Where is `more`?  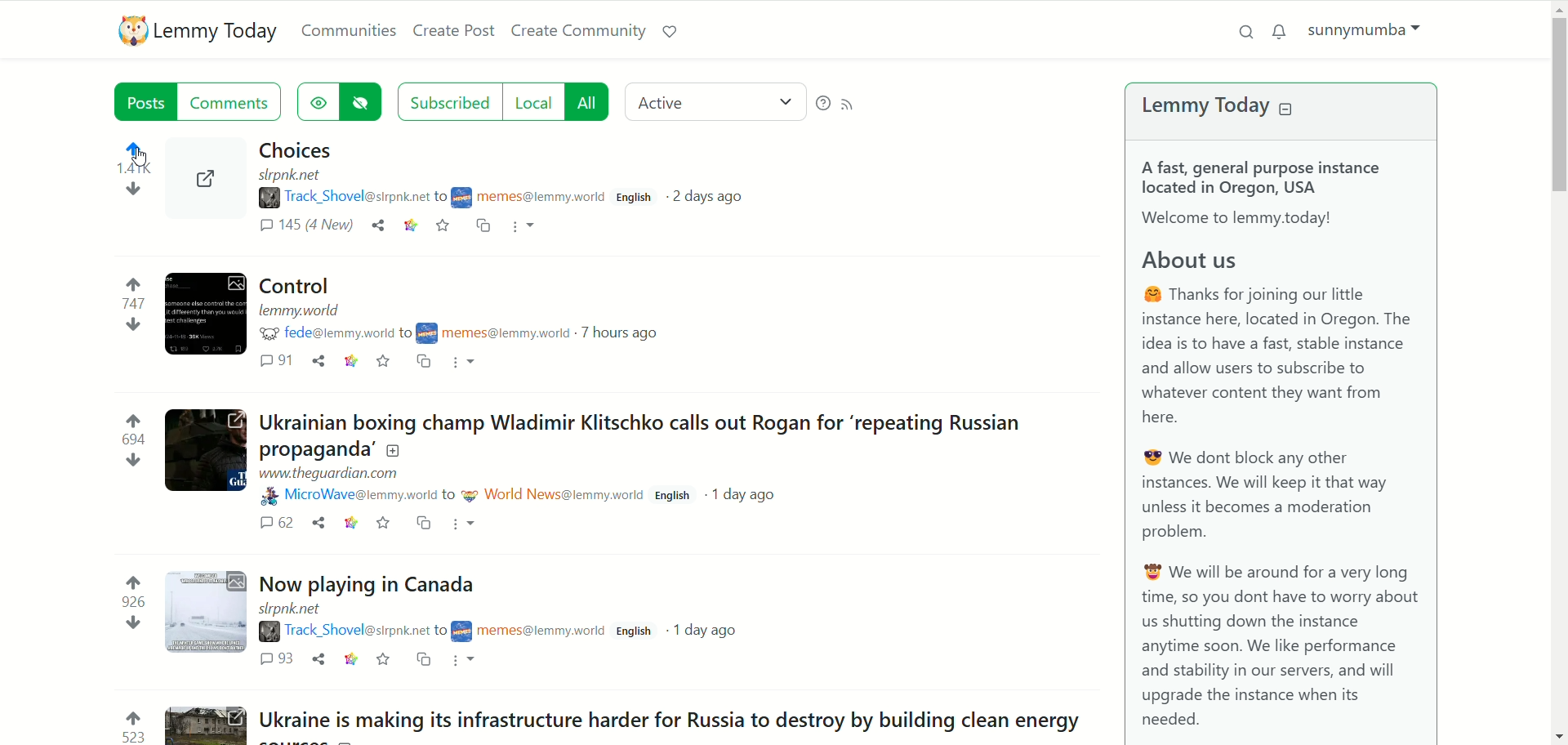
more is located at coordinates (465, 364).